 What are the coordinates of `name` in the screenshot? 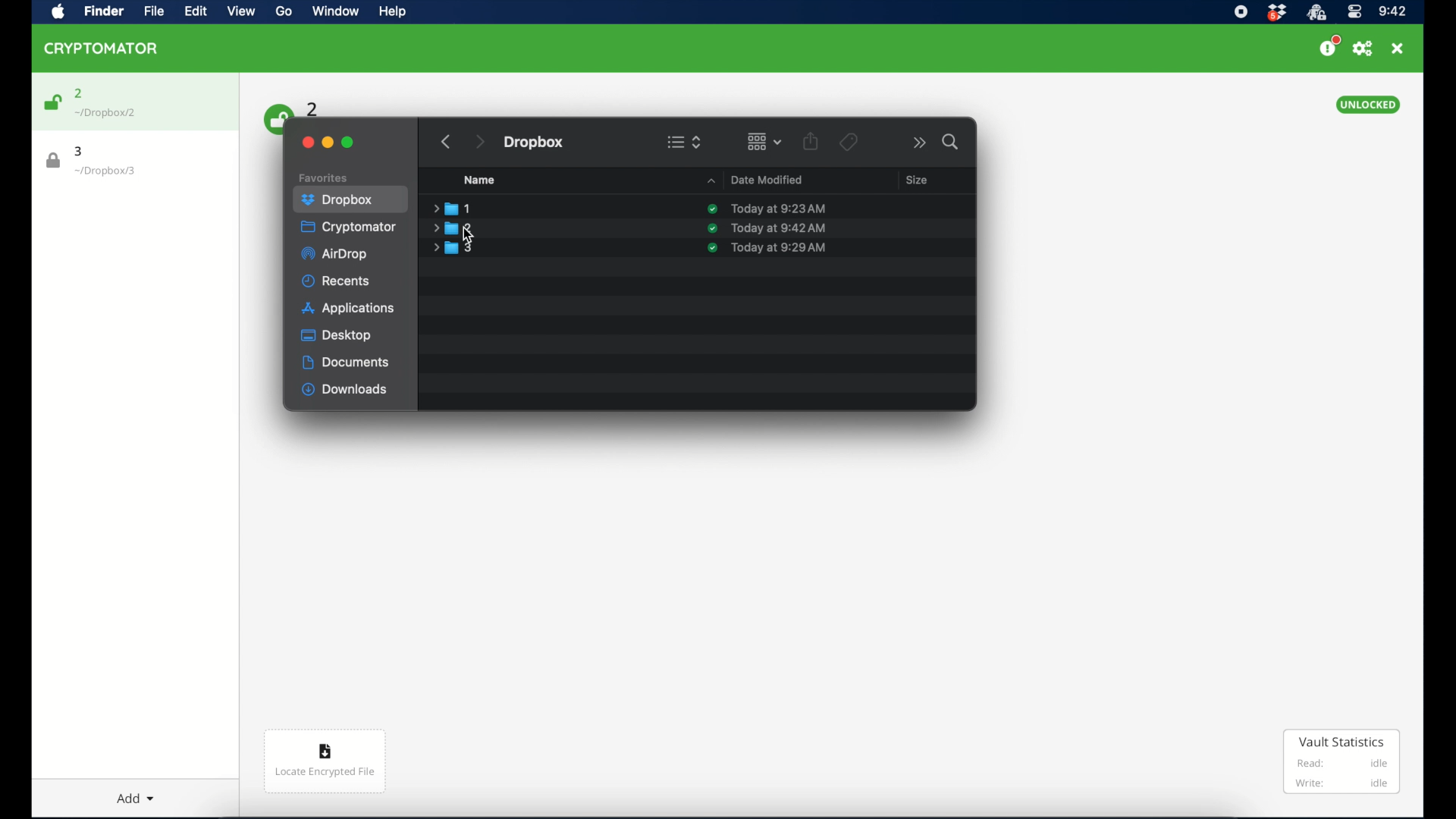 It's located at (479, 180).